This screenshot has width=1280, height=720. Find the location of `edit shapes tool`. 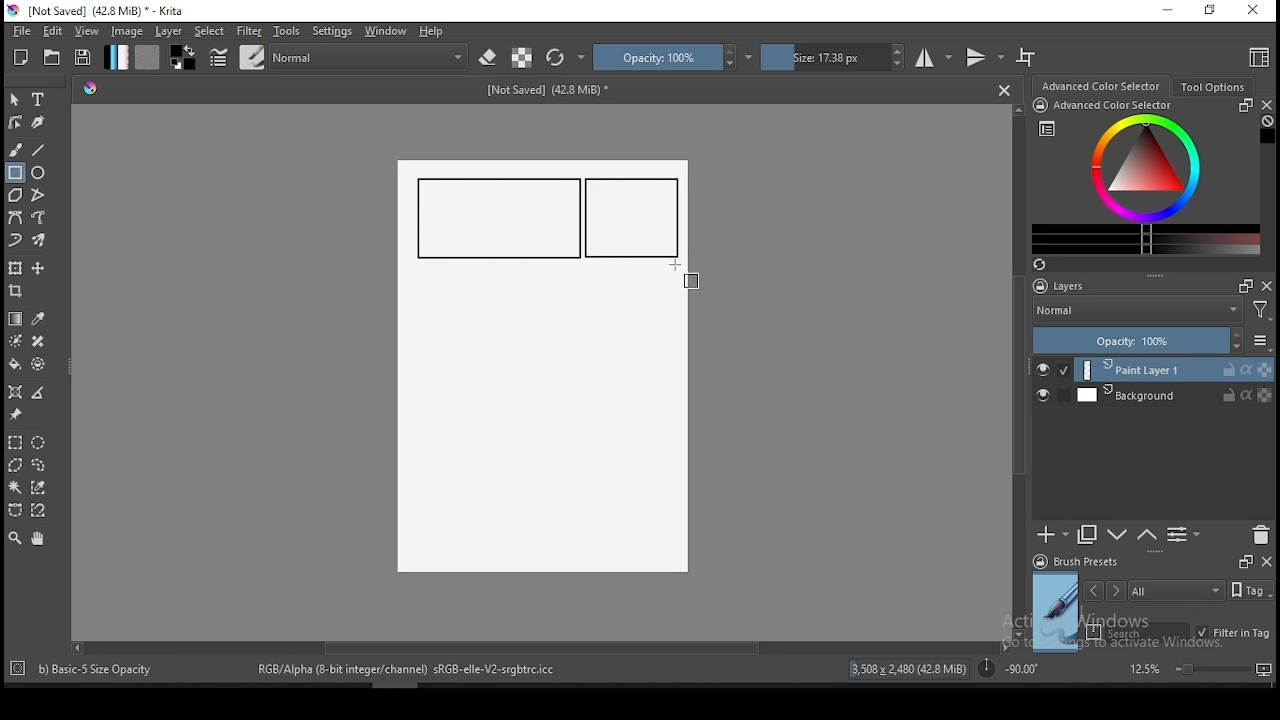

edit shapes tool is located at coordinates (15, 121).